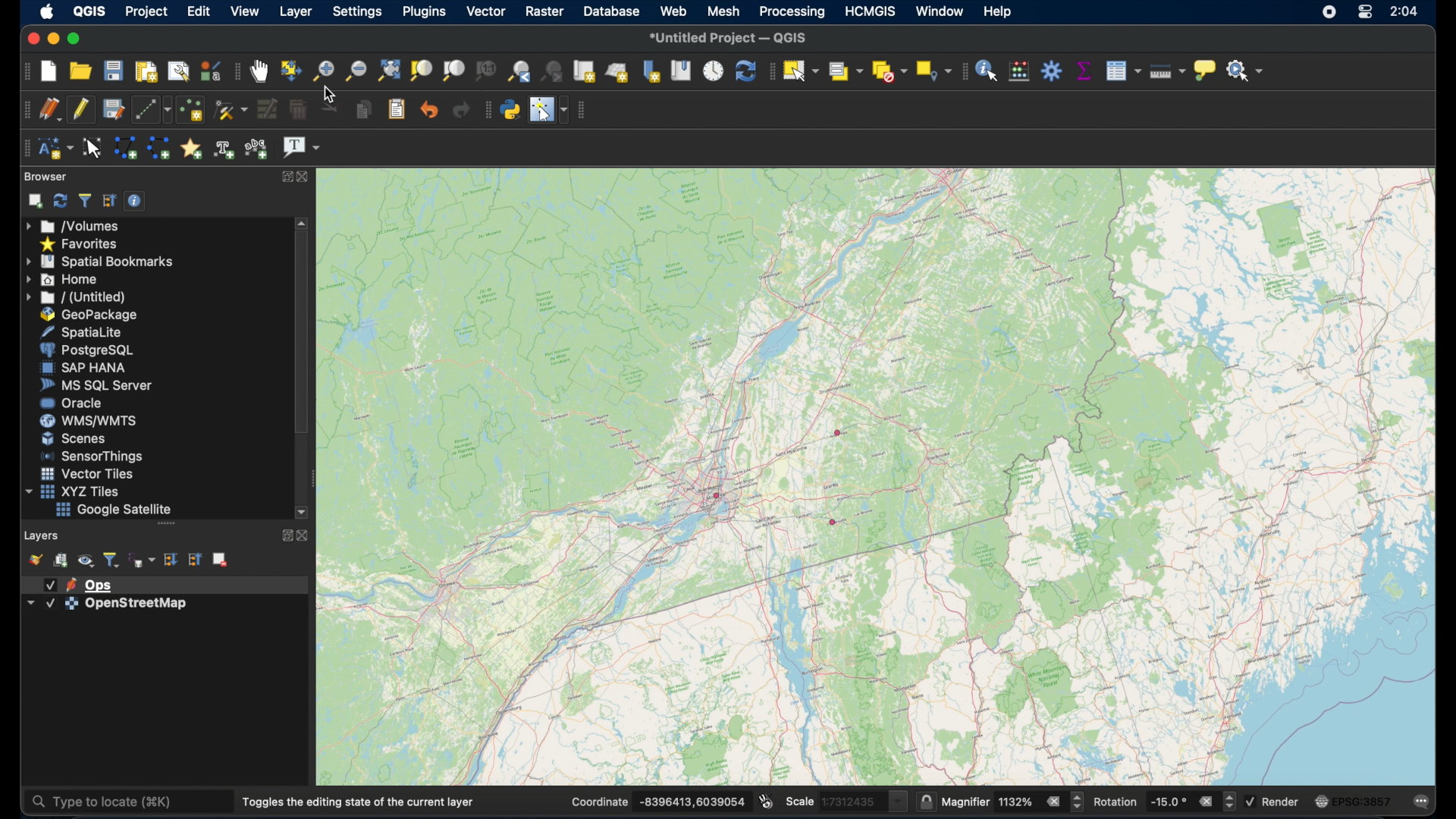  I want to click on digitize with segment, so click(149, 110).